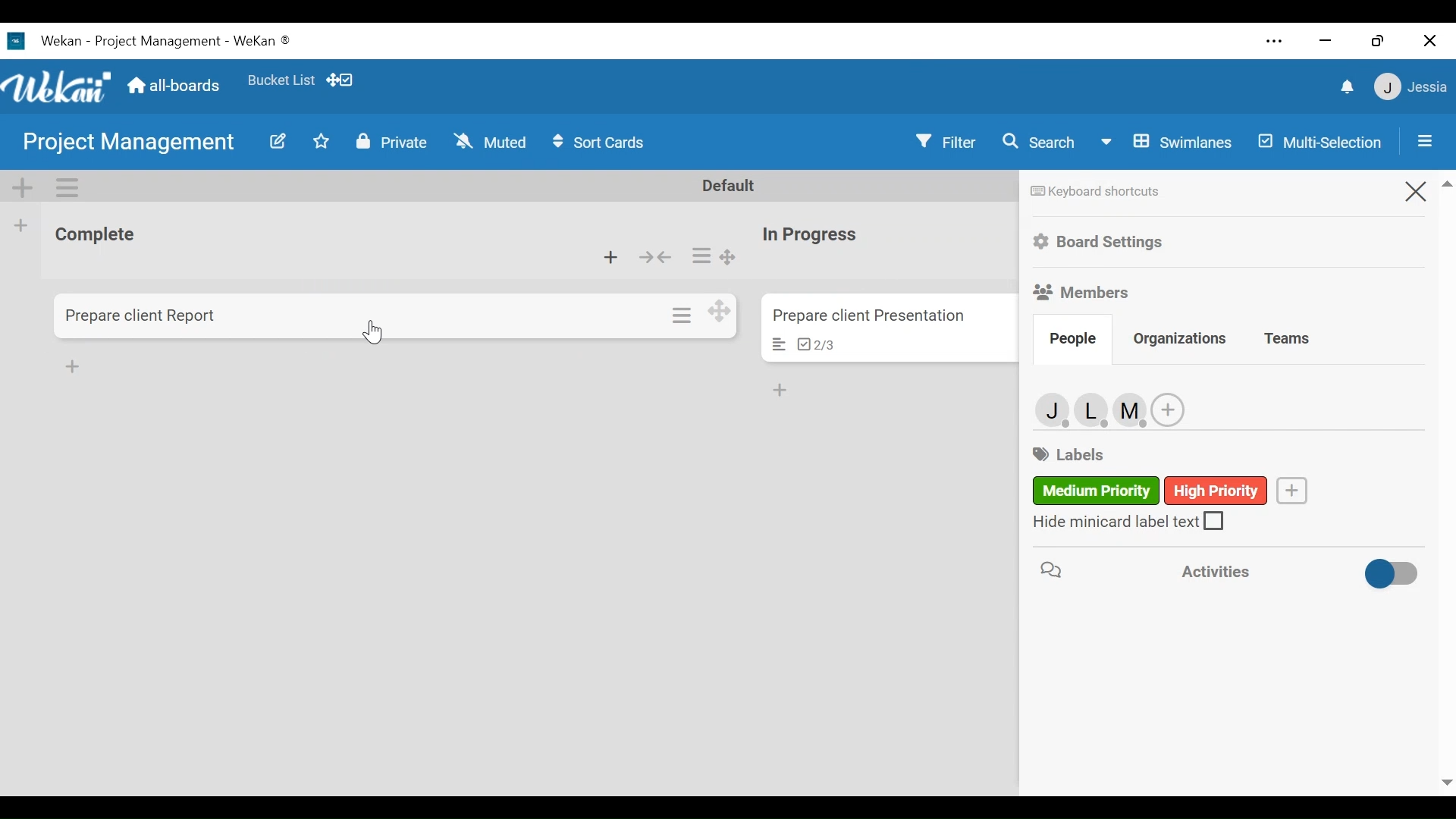 This screenshot has height=819, width=1456. I want to click on Card Title, so click(143, 316).